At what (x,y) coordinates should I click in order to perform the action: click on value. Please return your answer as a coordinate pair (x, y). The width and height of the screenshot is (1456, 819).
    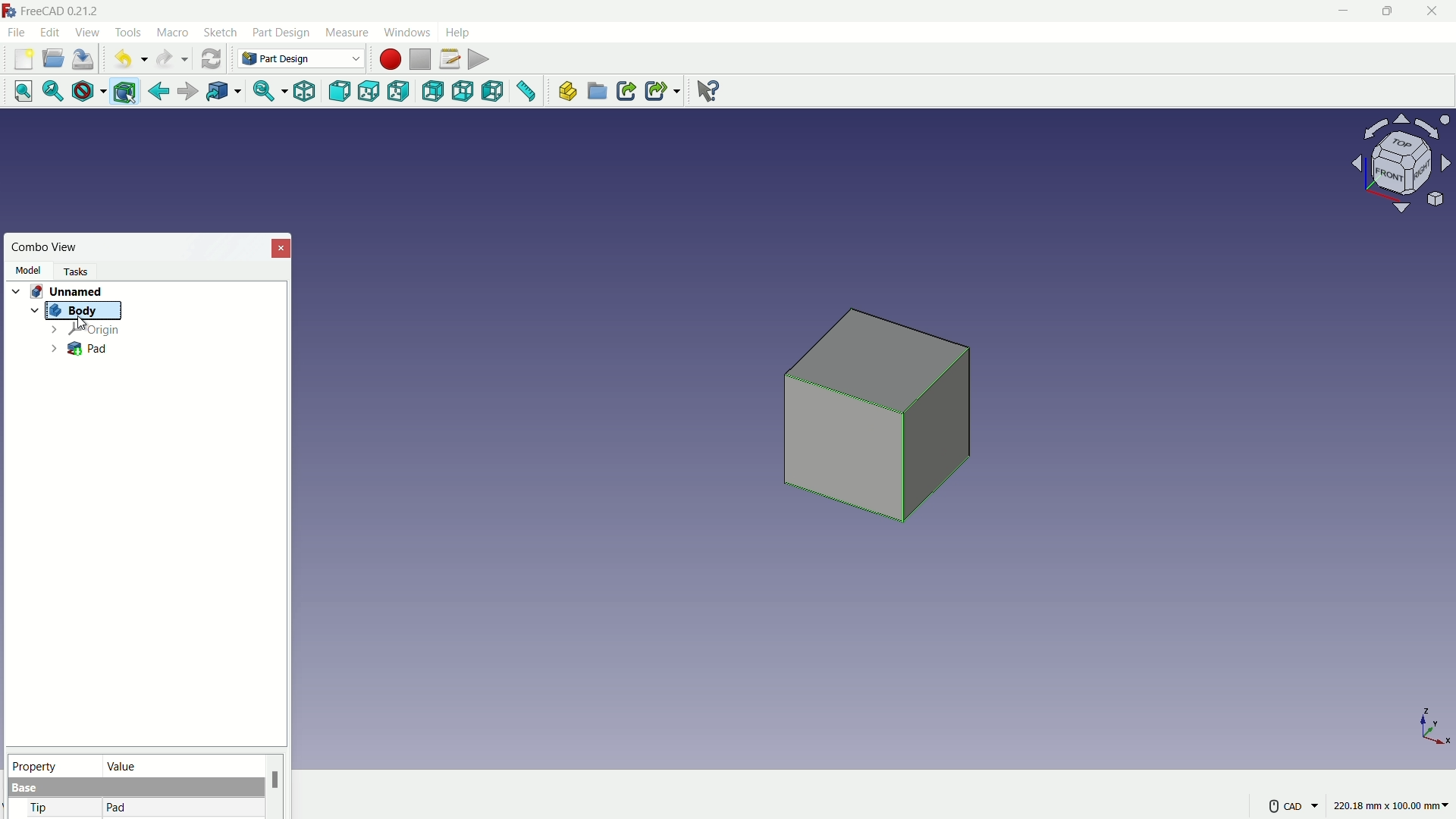
    Looking at the image, I should click on (180, 765).